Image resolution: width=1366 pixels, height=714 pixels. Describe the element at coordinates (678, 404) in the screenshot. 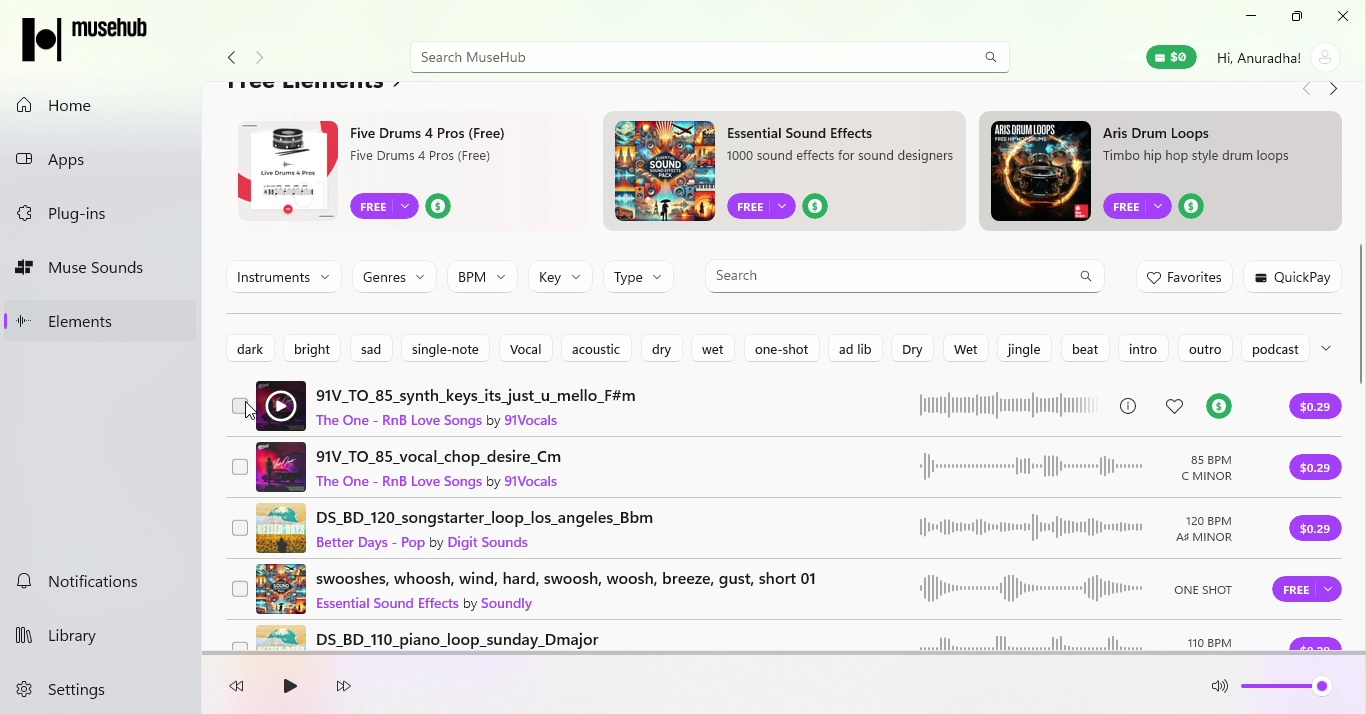

I see `91V_TO_85_synth_keys_its_just_u_mello_f#m` at that location.